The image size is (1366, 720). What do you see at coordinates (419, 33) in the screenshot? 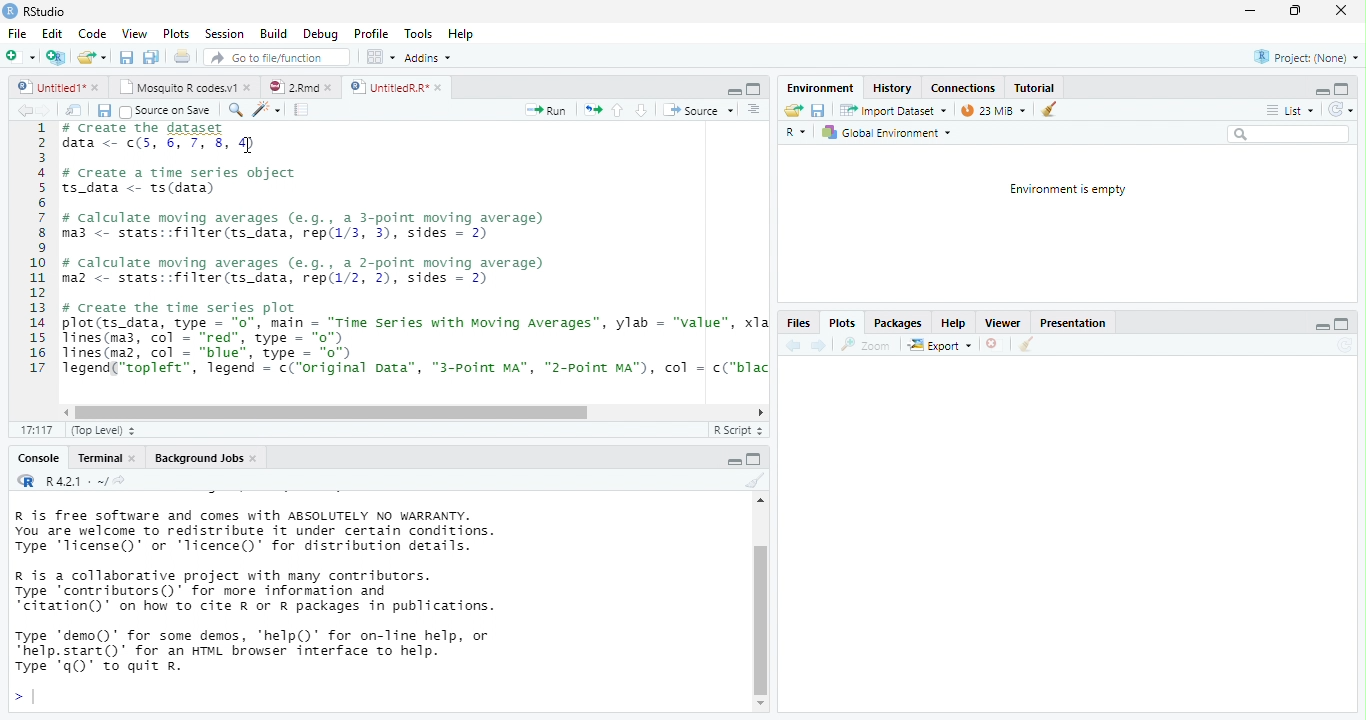
I see `Tools` at bounding box center [419, 33].